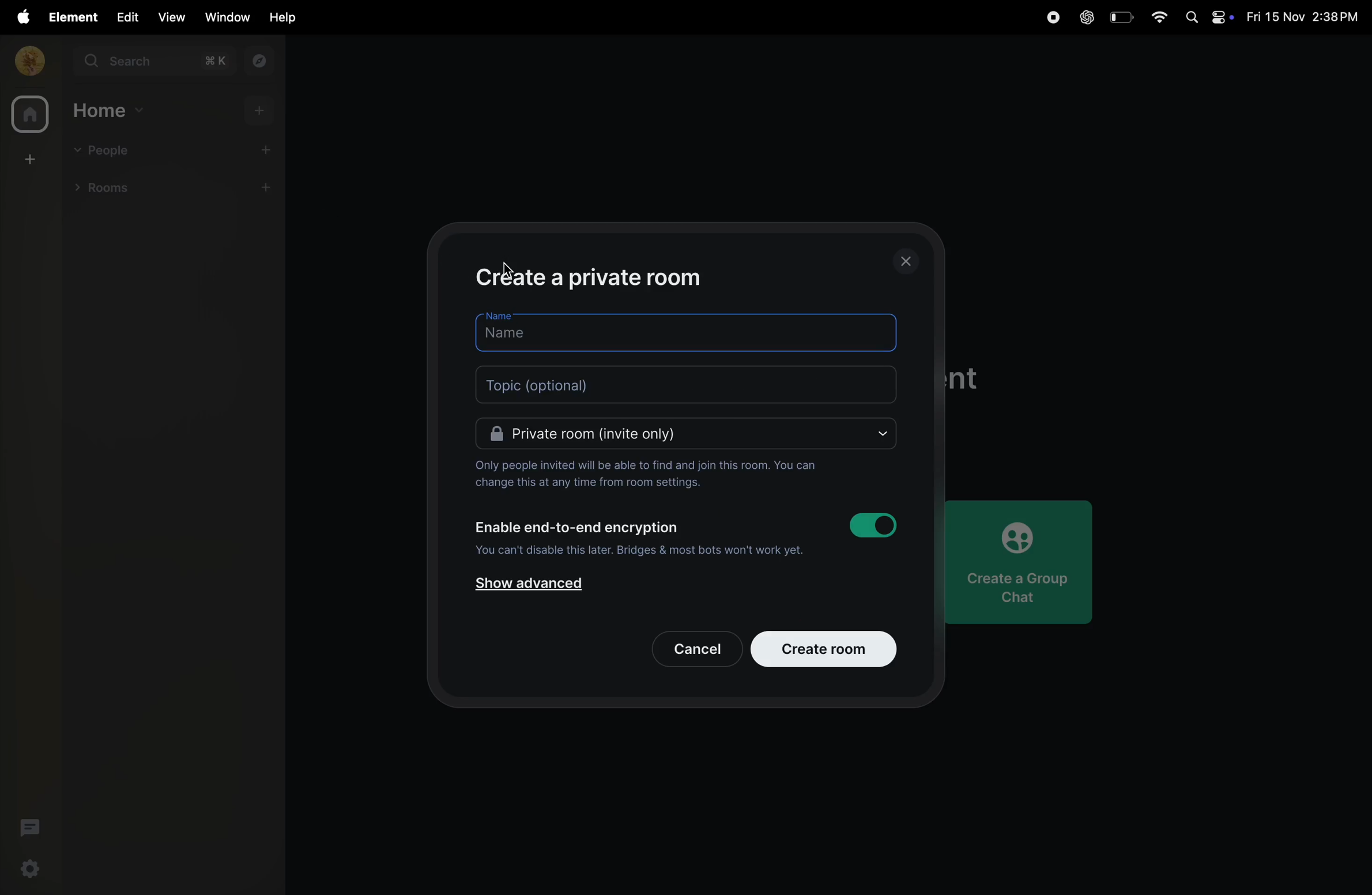 Image resolution: width=1372 pixels, height=895 pixels. Describe the element at coordinates (687, 333) in the screenshot. I see `name bar` at that location.